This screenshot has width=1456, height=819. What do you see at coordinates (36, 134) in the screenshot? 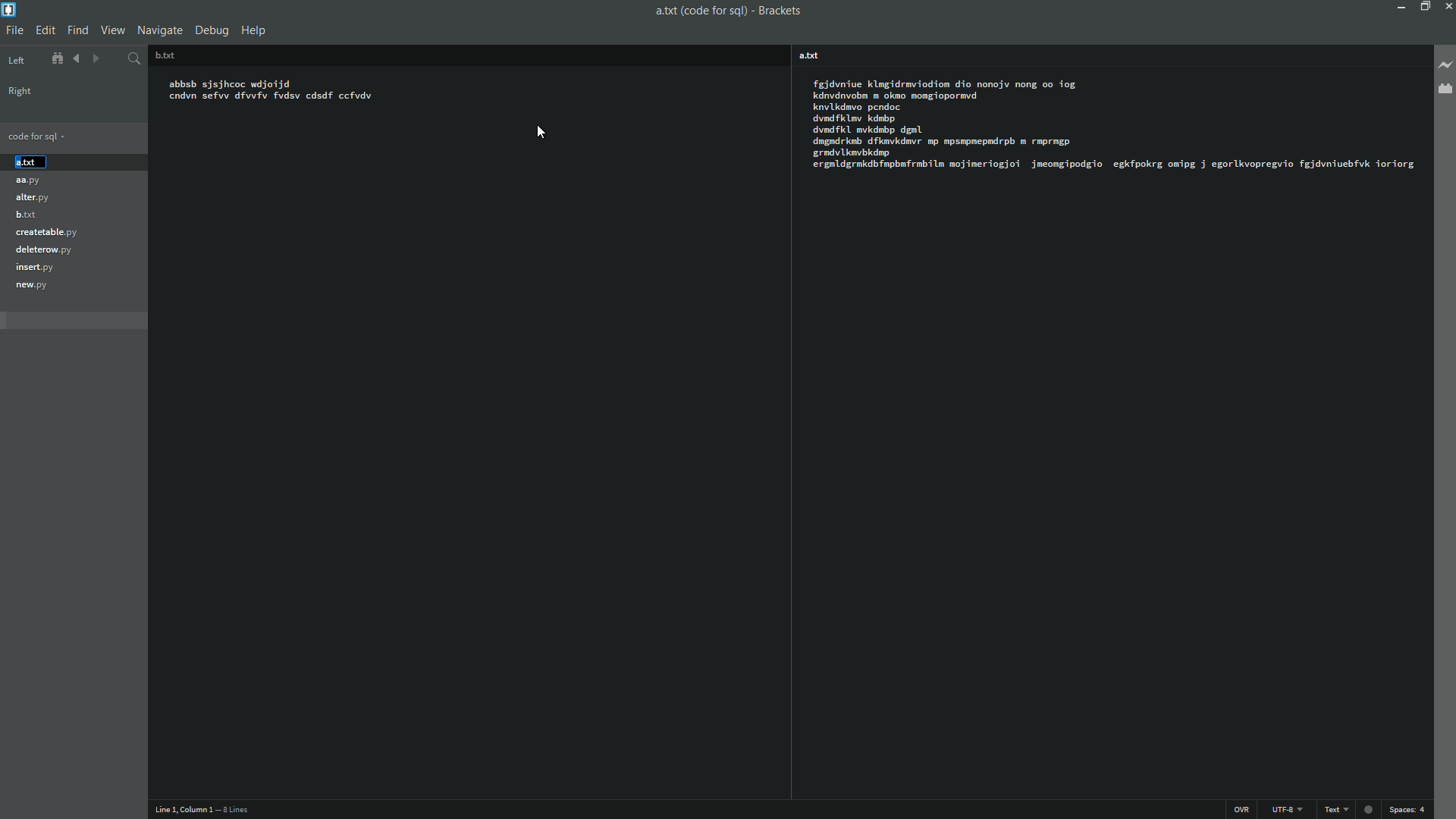
I see `code for sql` at bounding box center [36, 134].